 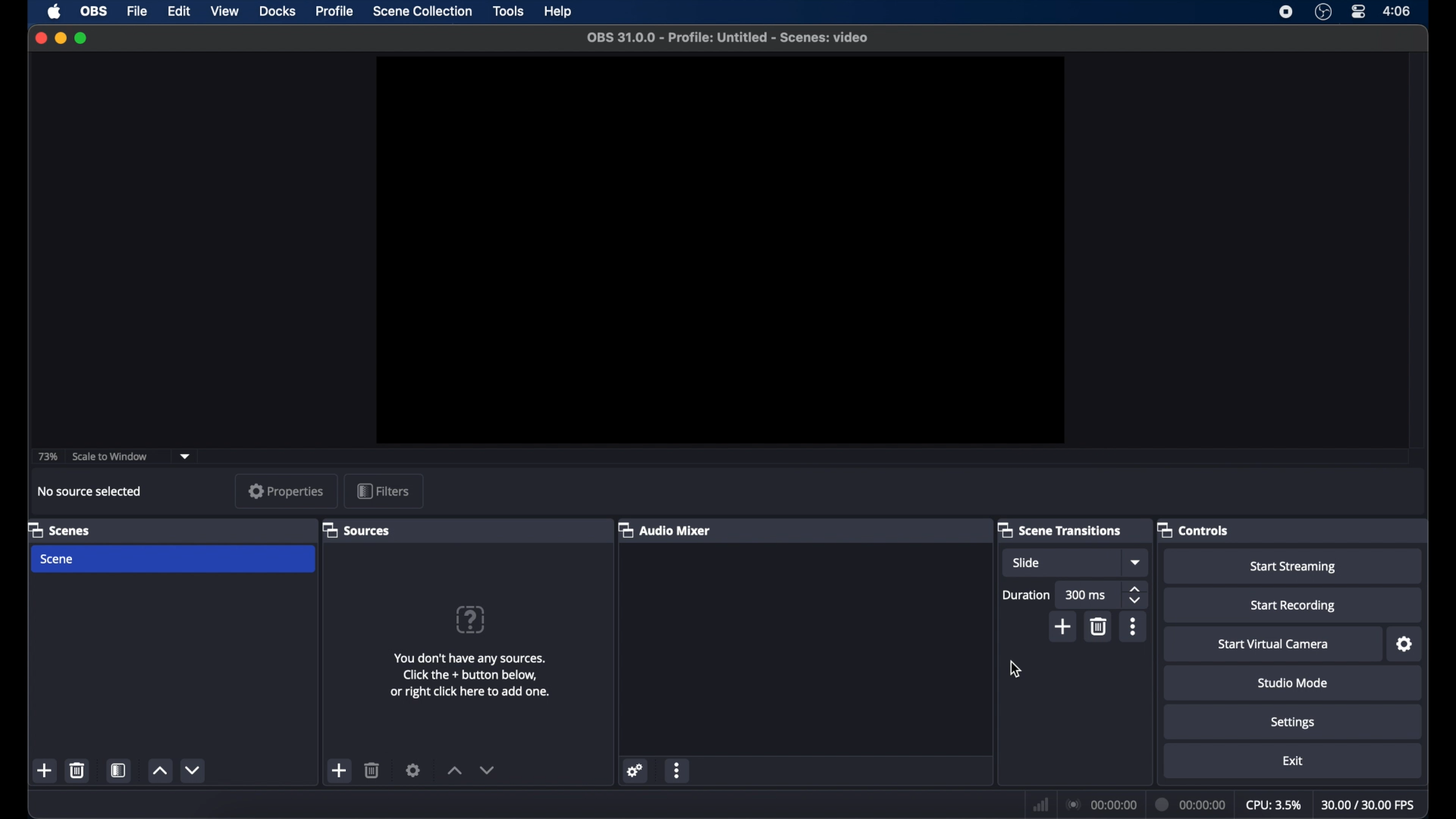 What do you see at coordinates (224, 12) in the screenshot?
I see `view` at bounding box center [224, 12].